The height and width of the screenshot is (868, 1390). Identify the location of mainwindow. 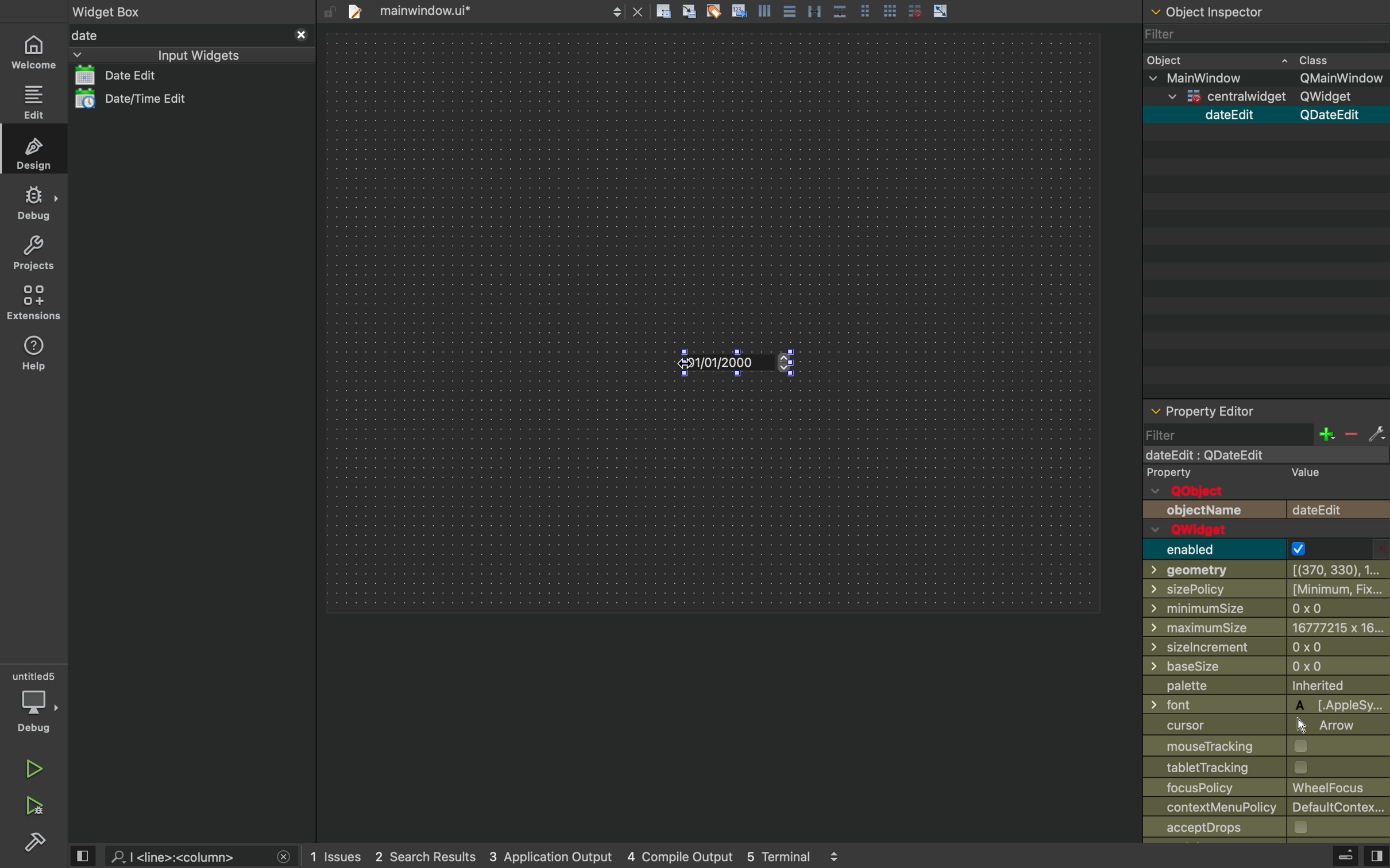
(1267, 79).